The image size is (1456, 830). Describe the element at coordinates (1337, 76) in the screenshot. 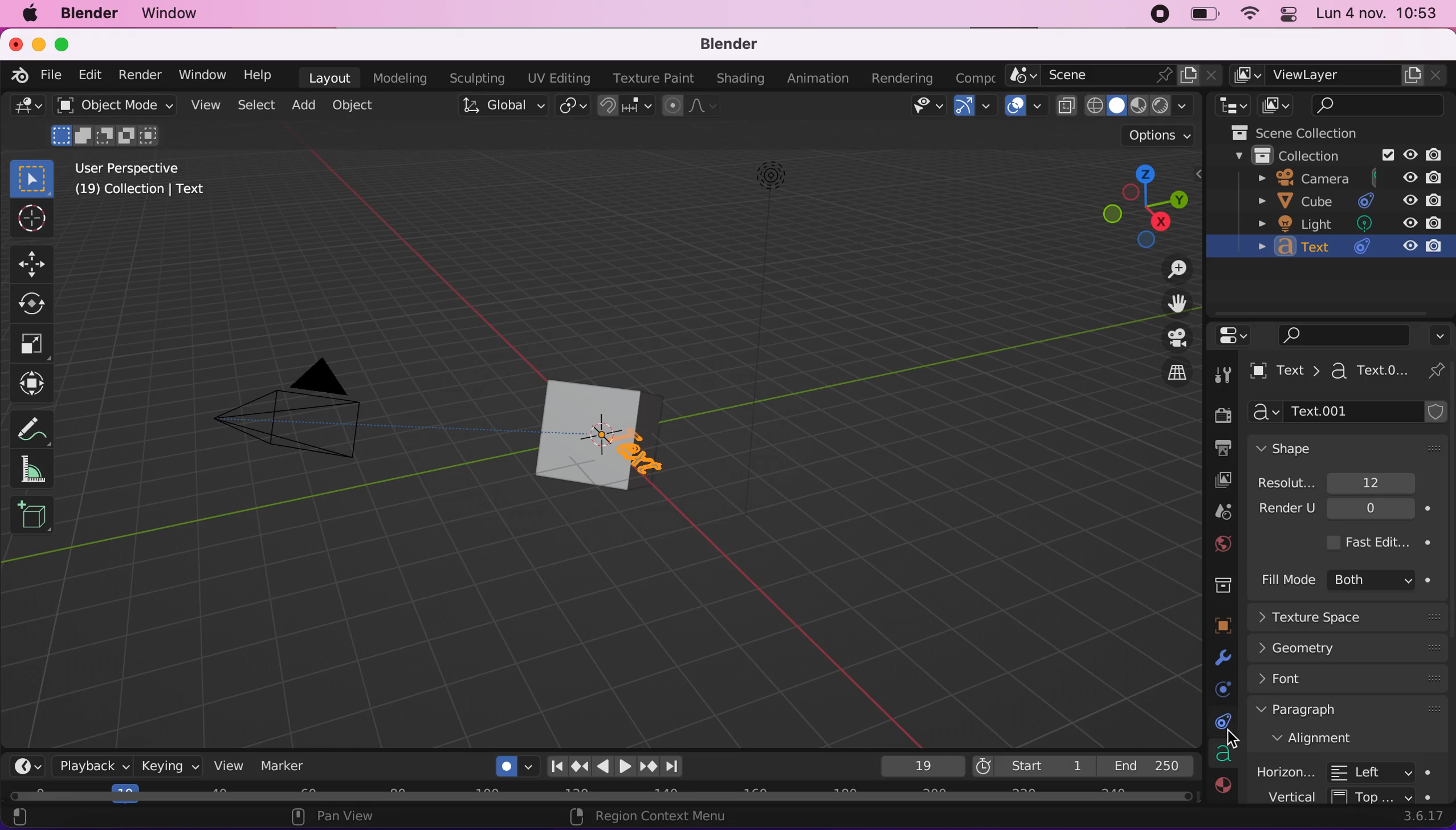

I see `viewlayer` at that location.